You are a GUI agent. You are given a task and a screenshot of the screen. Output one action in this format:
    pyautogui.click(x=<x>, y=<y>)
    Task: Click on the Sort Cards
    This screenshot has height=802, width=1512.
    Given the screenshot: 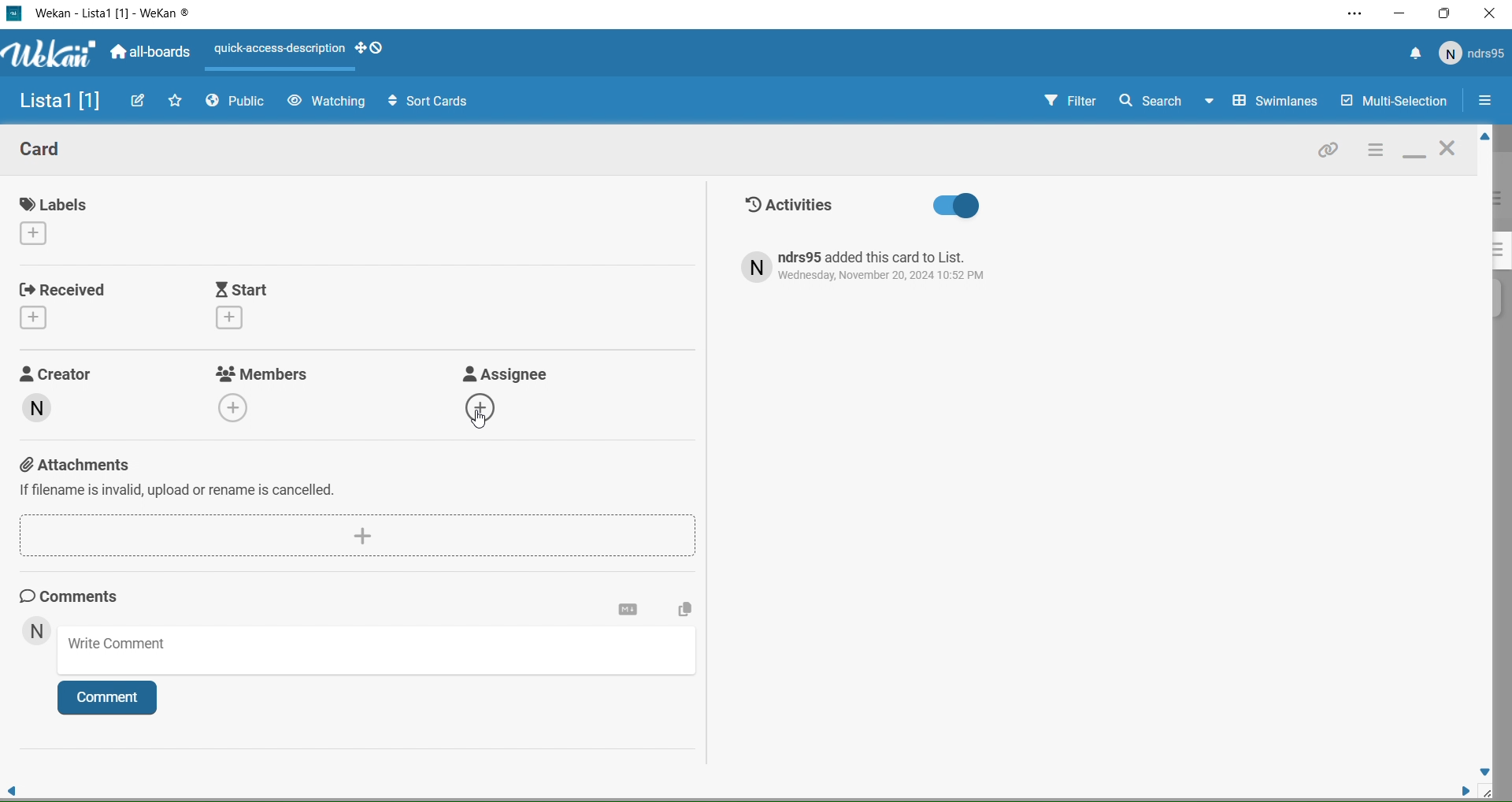 What is the action you would take?
    pyautogui.click(x=421, y=100)
    